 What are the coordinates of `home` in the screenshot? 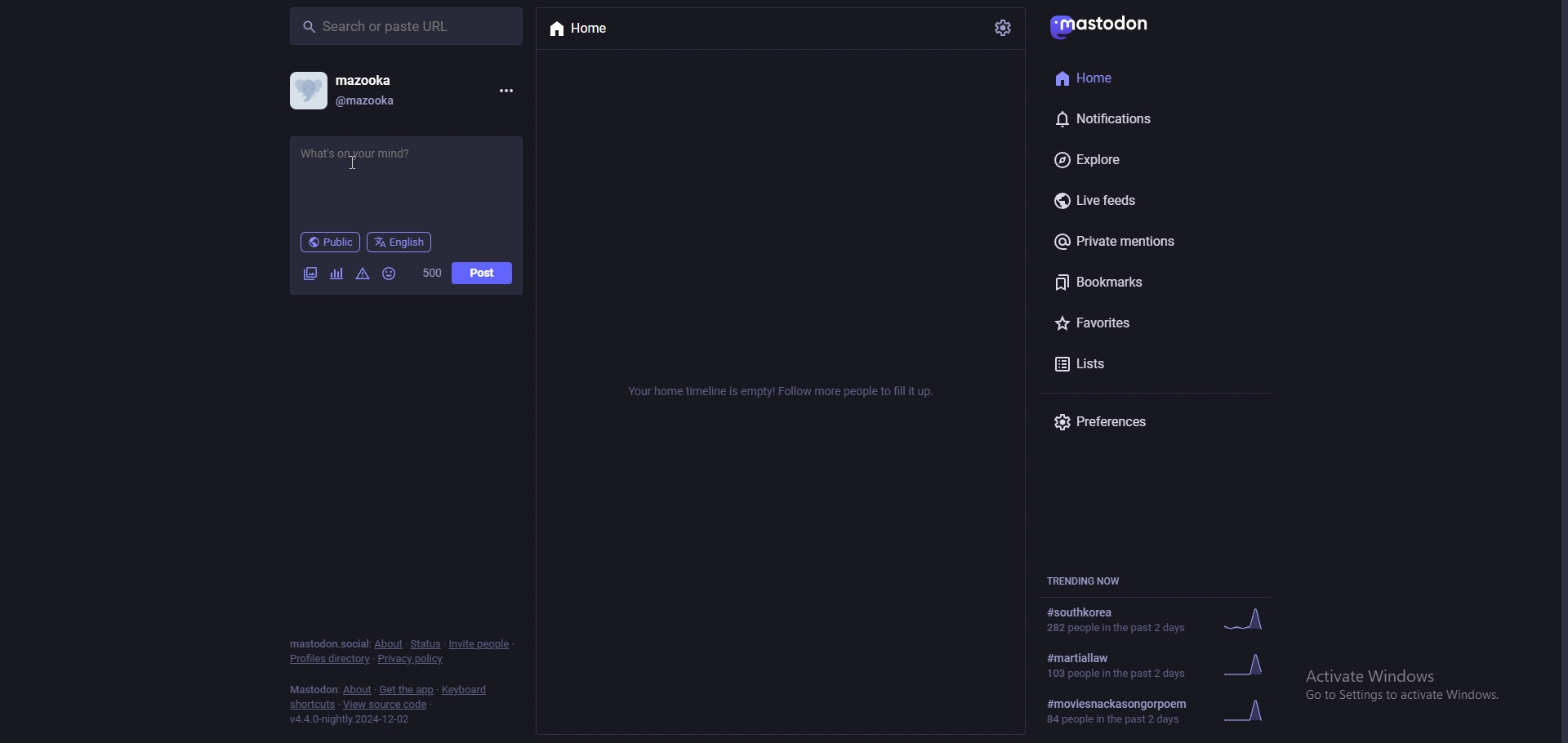 It's located at (1122, 78).